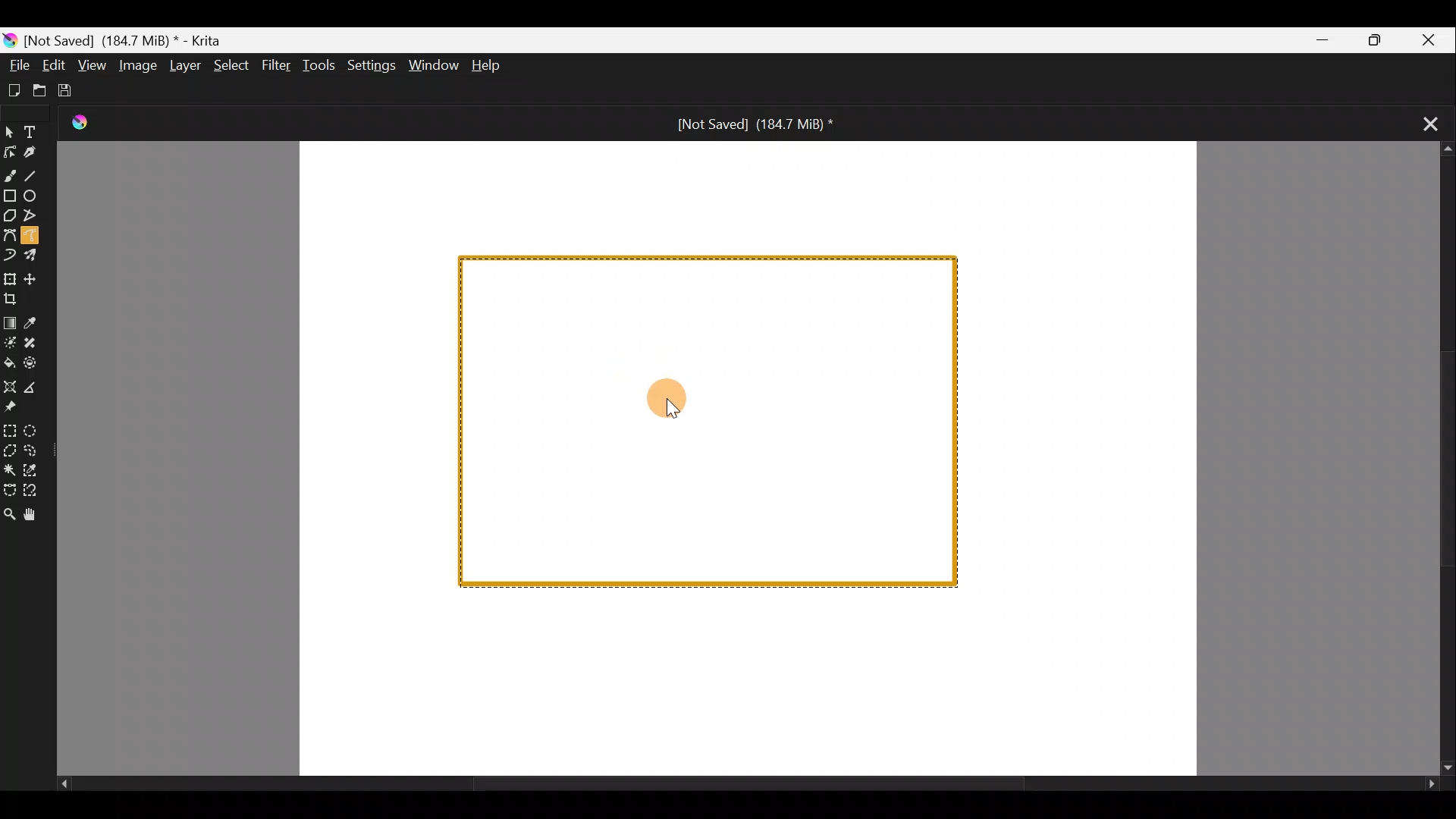  What do you see at coordinates (9, 40) in the screenshot?
I see `Krita logo` at bounding box center [9, 40].